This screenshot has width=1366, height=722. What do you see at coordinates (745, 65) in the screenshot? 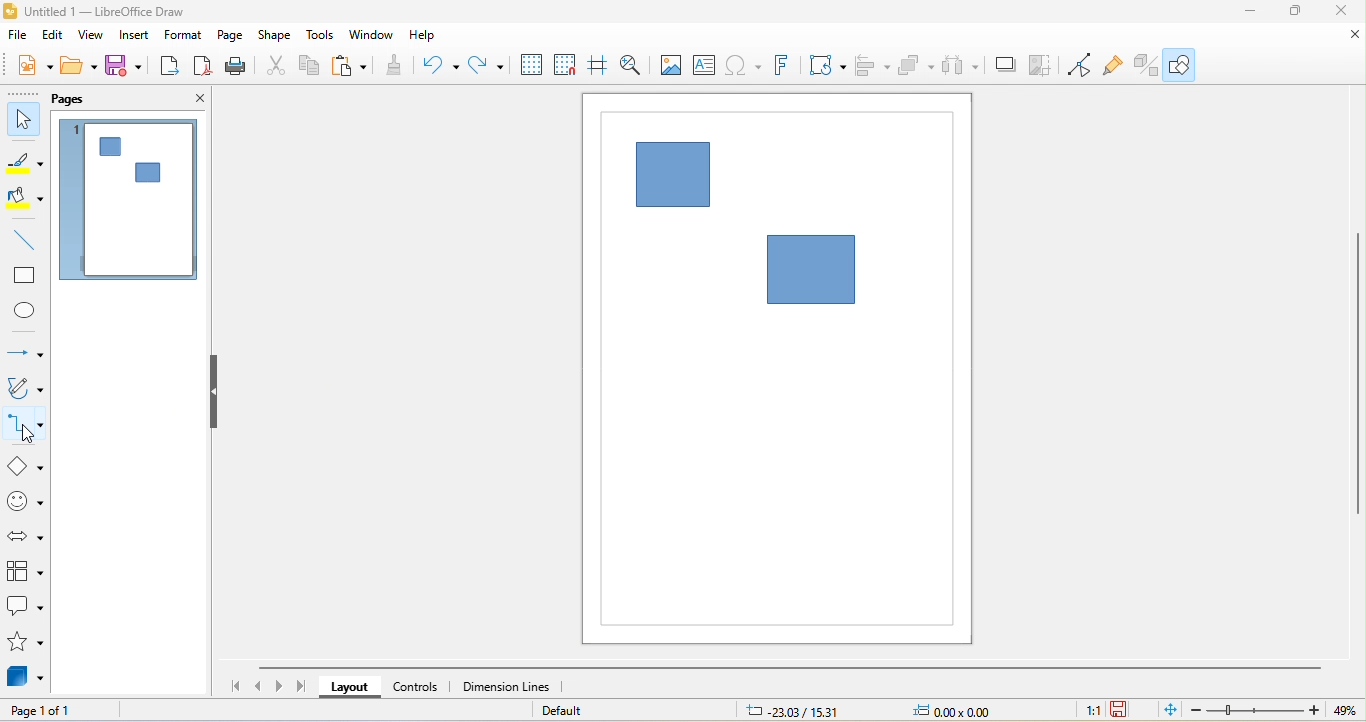
I see `special character` at bounding box center [745, 65].